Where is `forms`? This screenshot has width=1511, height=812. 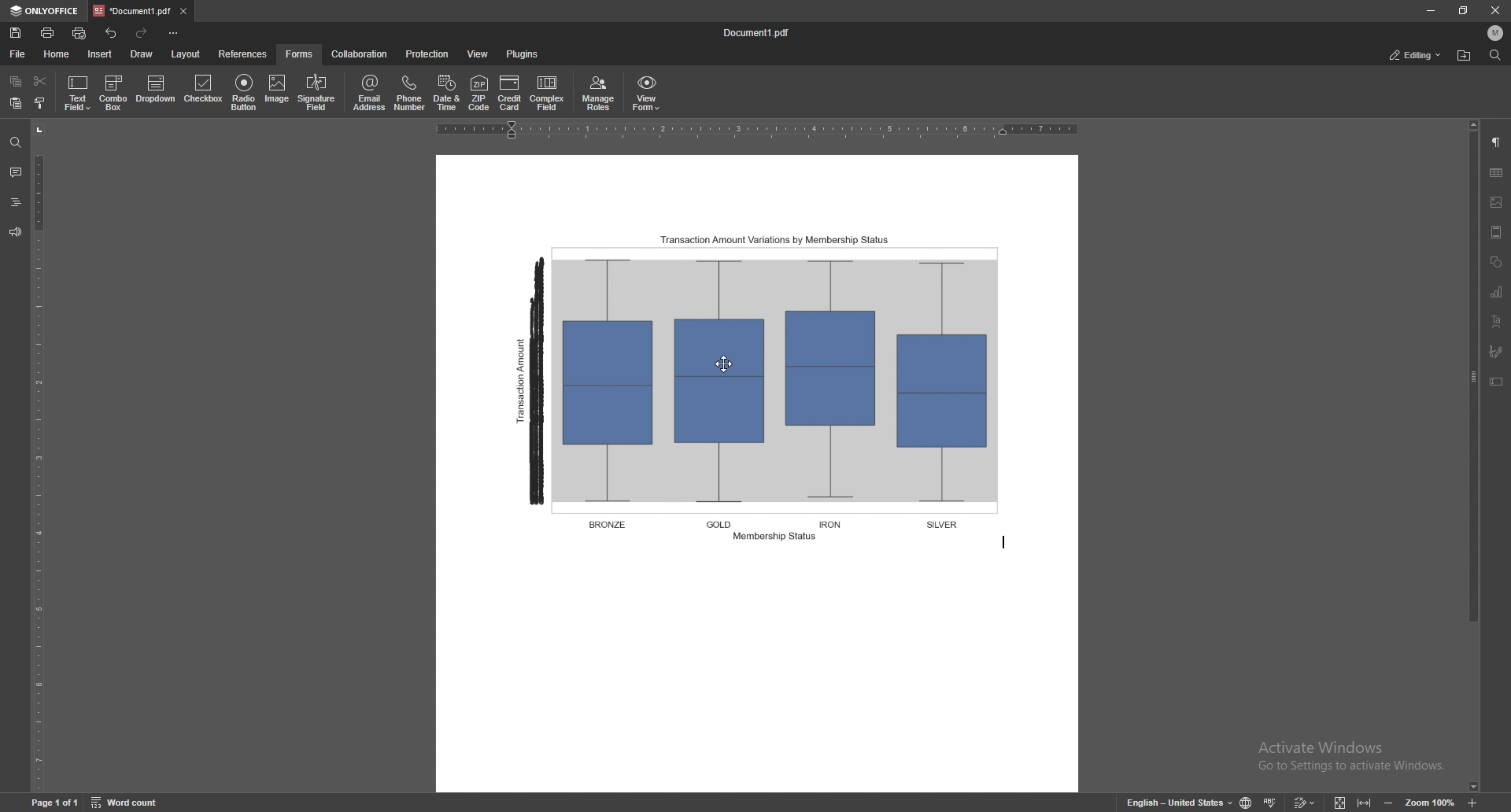 forms is located at coordinates (301, 54).